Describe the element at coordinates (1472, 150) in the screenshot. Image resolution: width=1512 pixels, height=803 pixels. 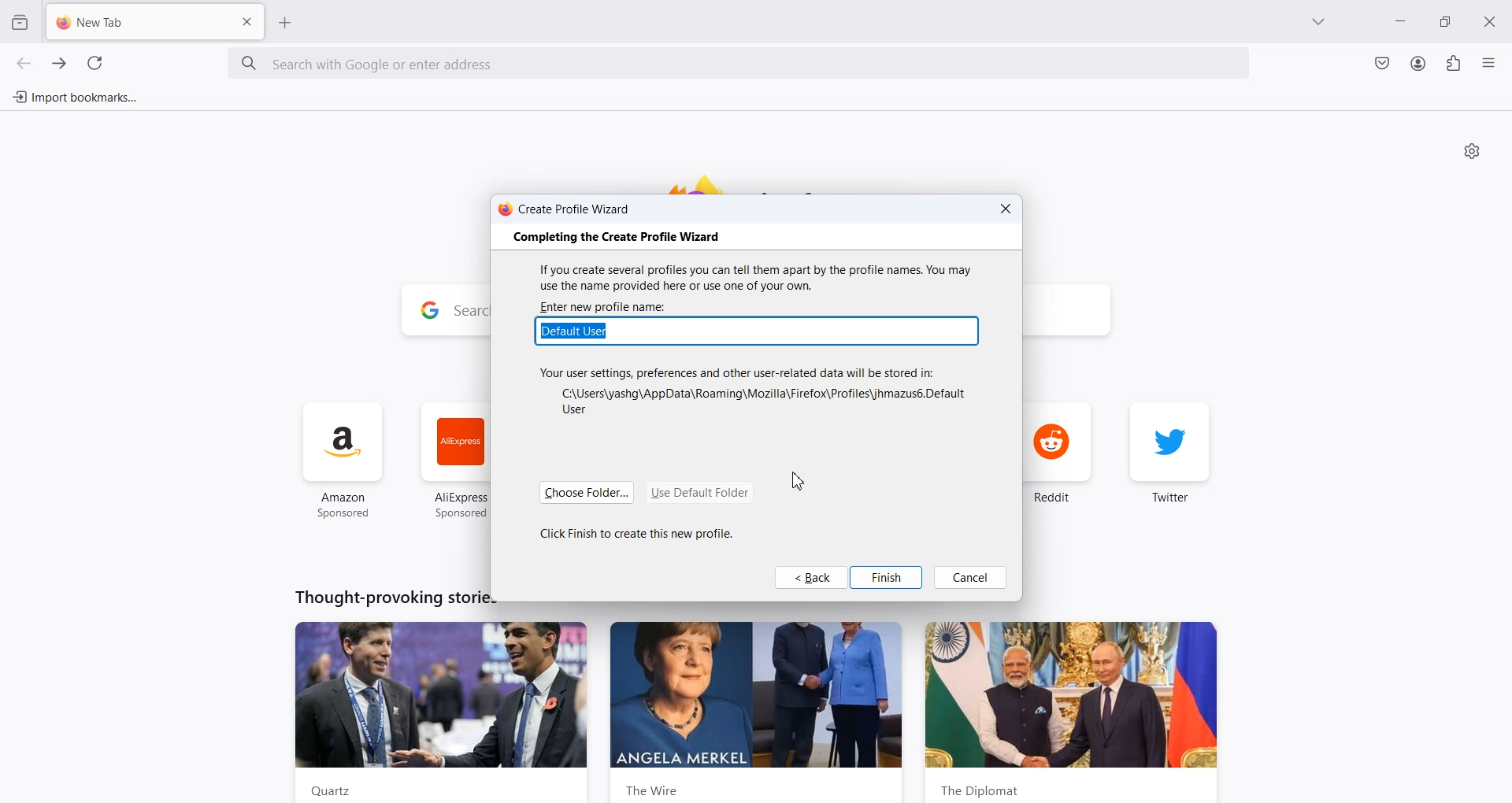
I see `Personalize new tab ` at that location.